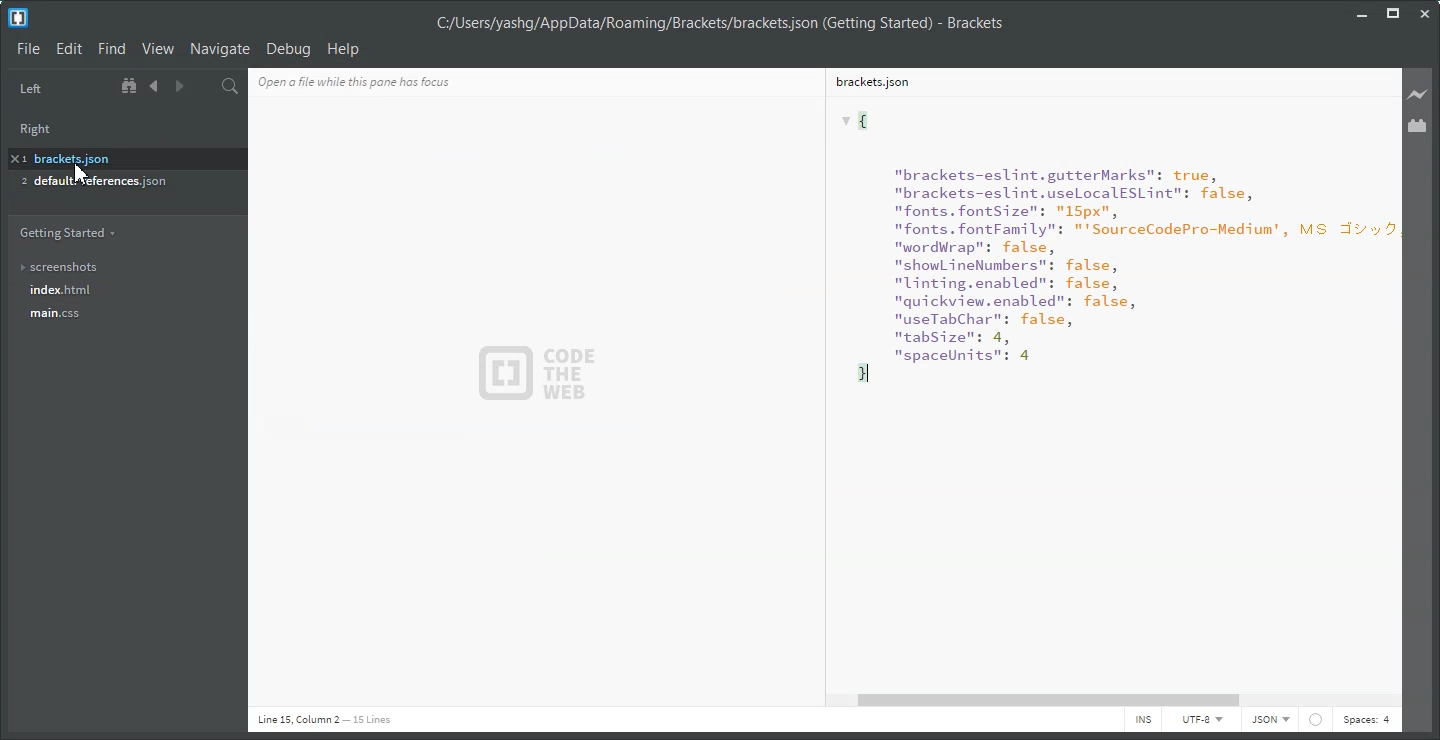  I want to click on UTF-8, so click(1201, 721).